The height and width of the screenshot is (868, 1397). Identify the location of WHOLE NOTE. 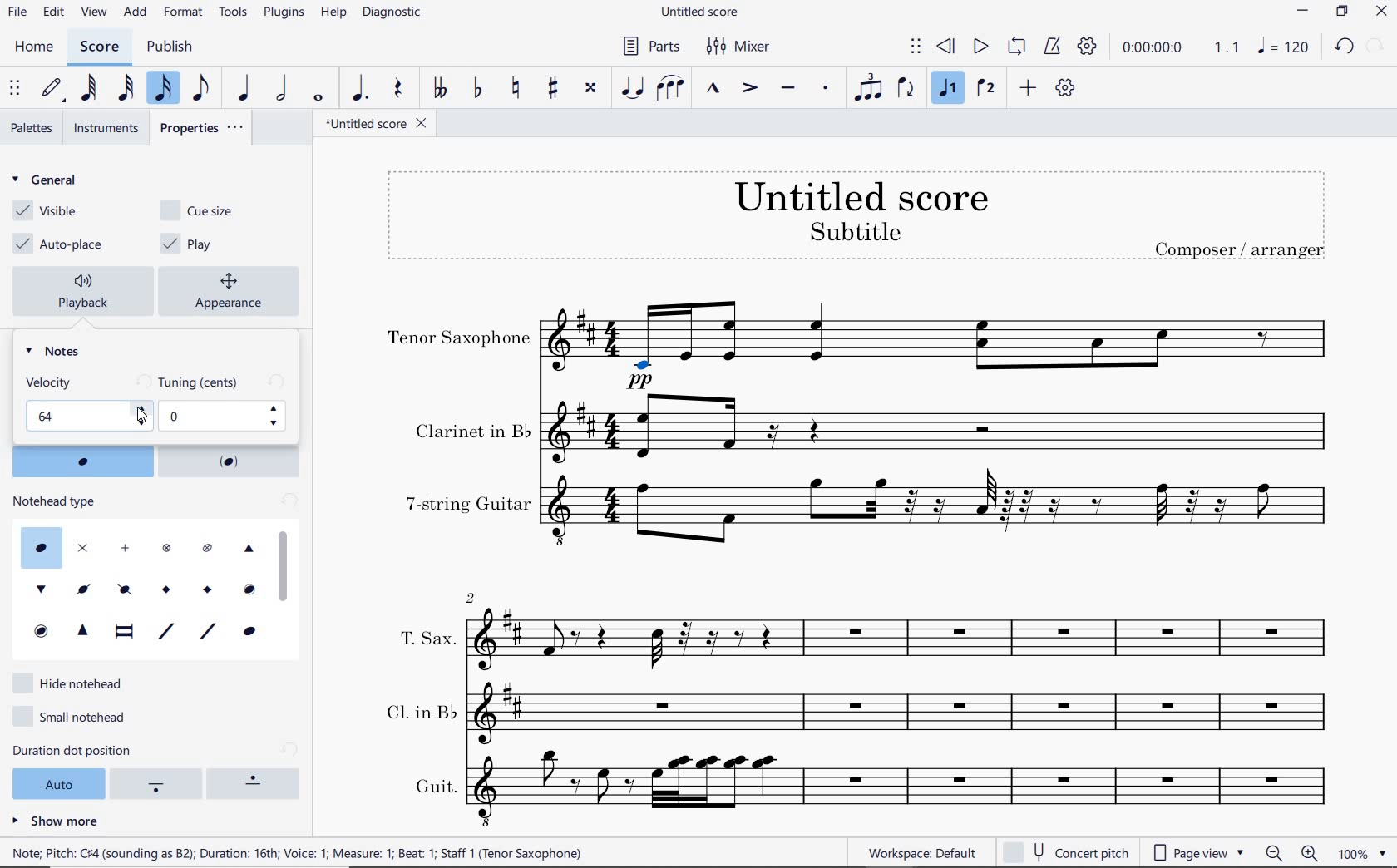
(321, 96).